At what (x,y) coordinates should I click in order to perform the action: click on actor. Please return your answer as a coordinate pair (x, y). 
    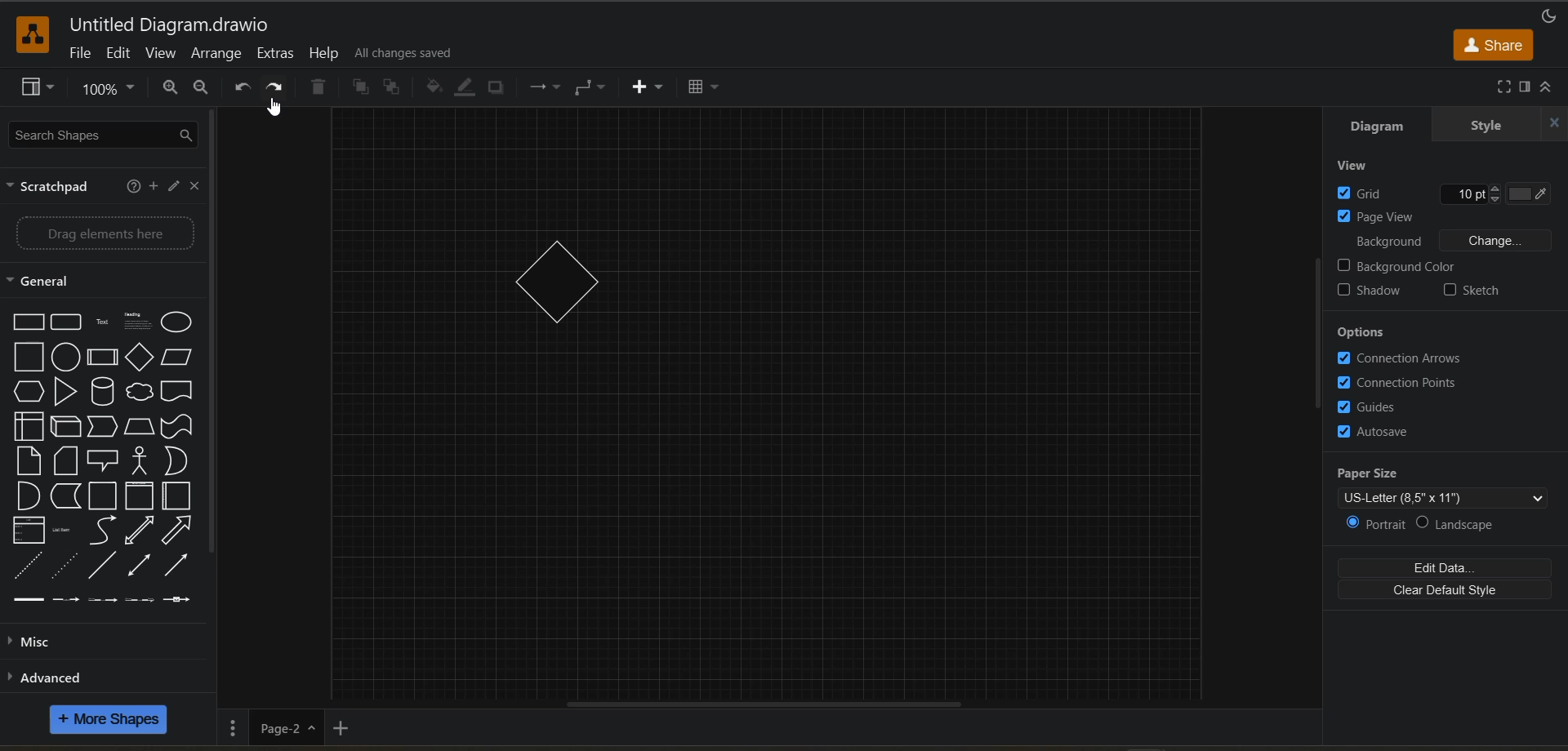
    Looking at the image, I should click on (140, 461).